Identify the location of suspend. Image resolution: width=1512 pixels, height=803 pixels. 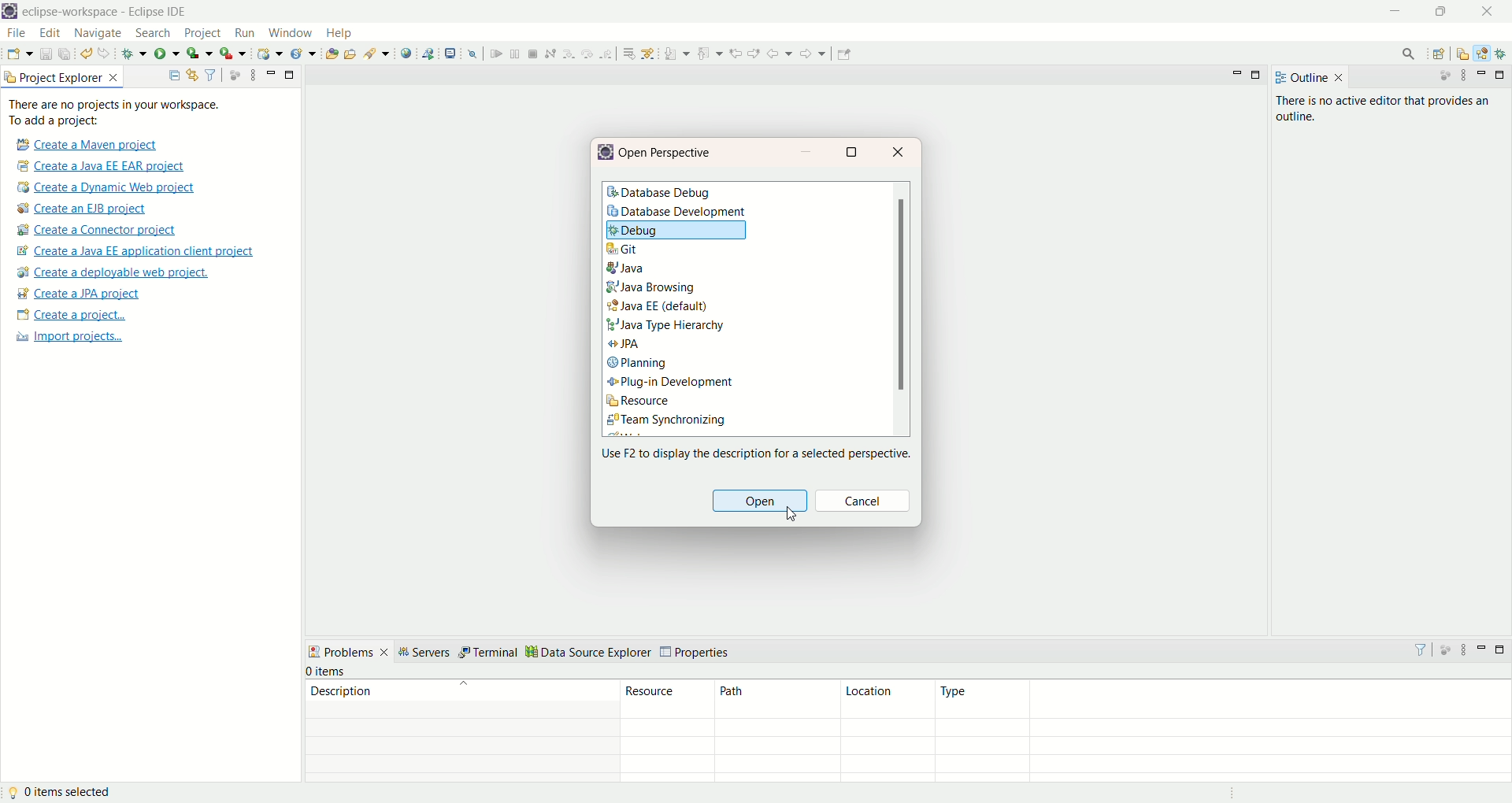
(513, 54).